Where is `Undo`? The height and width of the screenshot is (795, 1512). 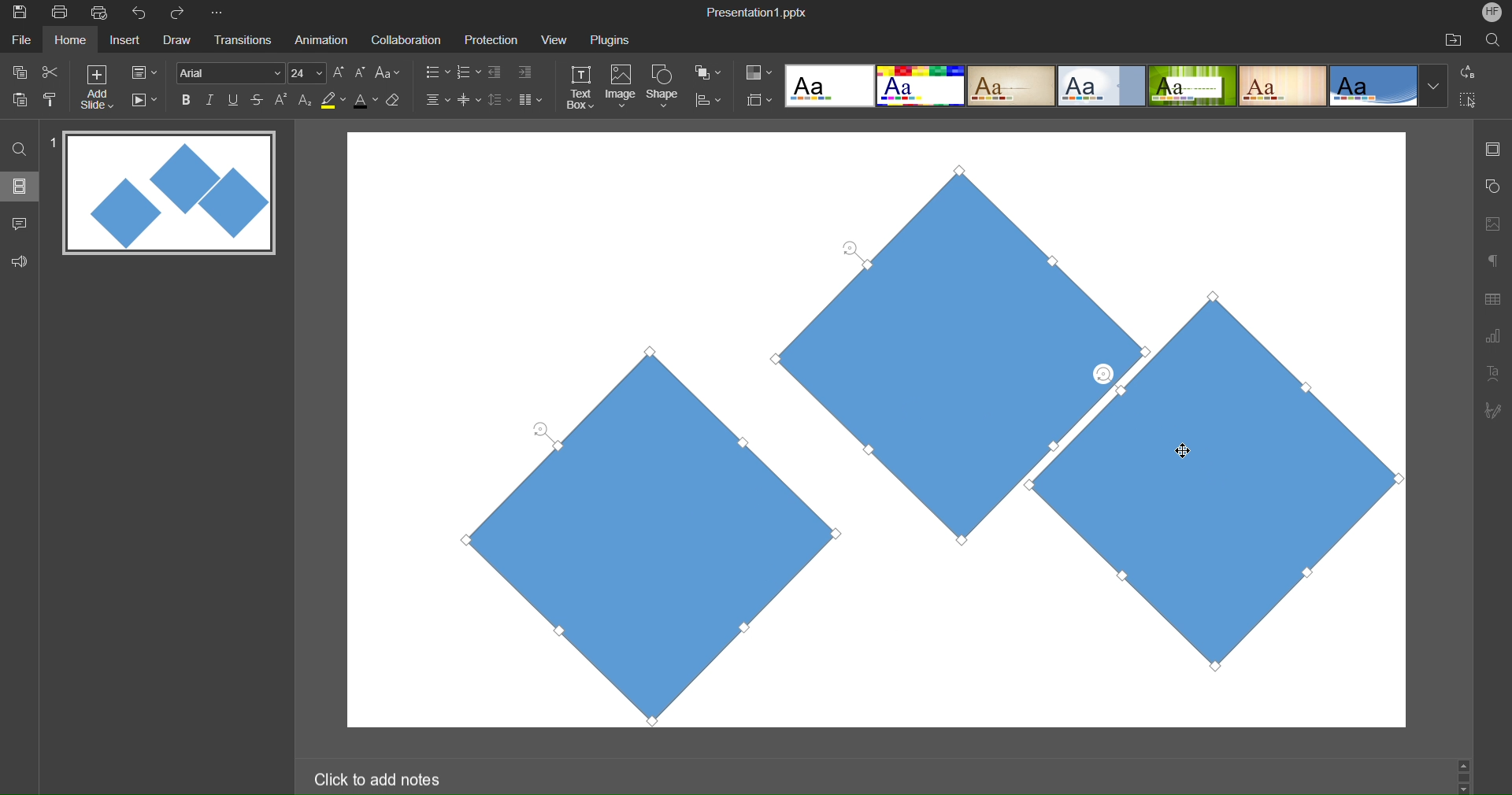
Undo is located at coordinates (143, 13).